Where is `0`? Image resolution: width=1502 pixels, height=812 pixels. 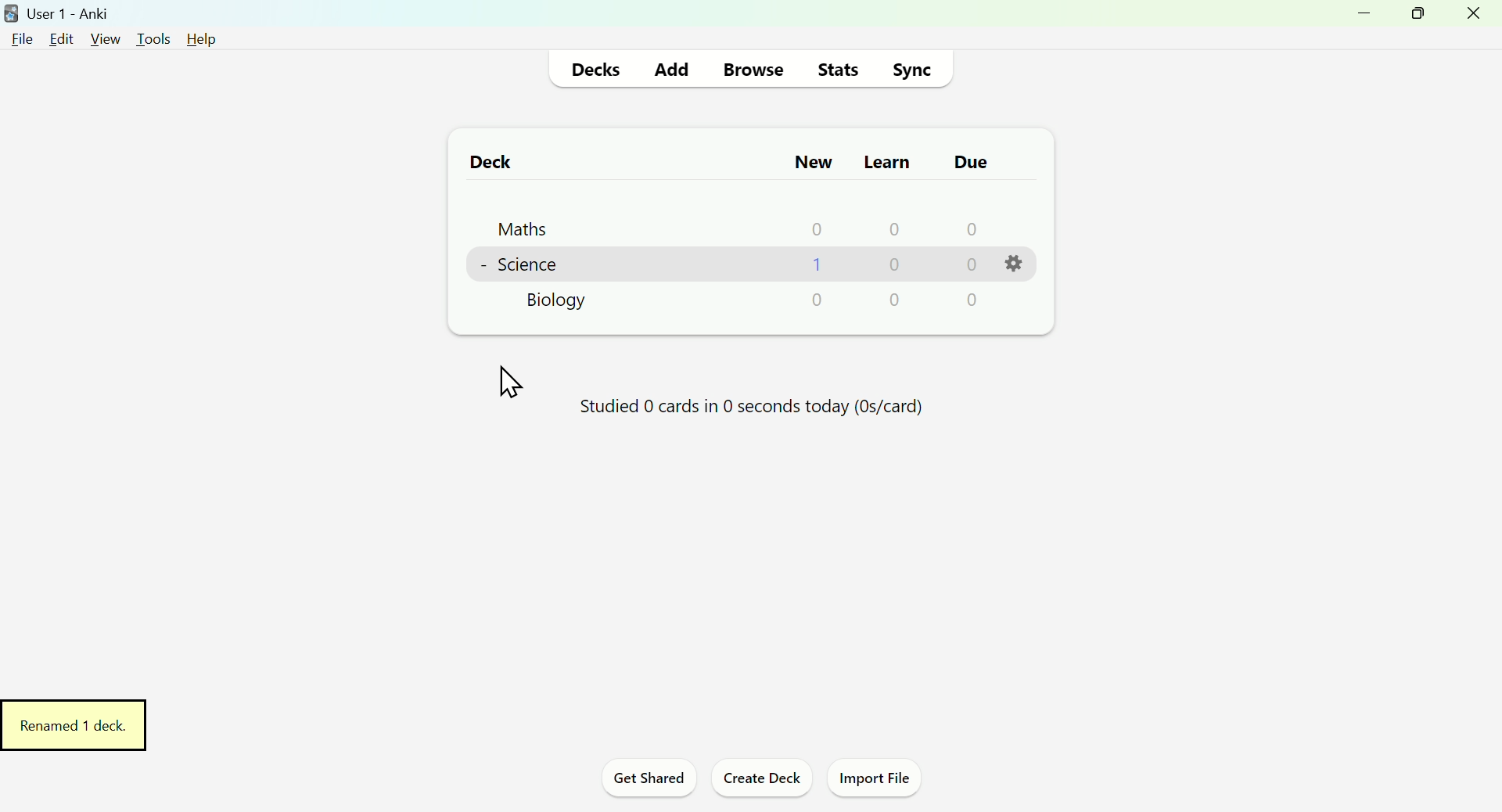 0 is located at coordinates (970, 228).